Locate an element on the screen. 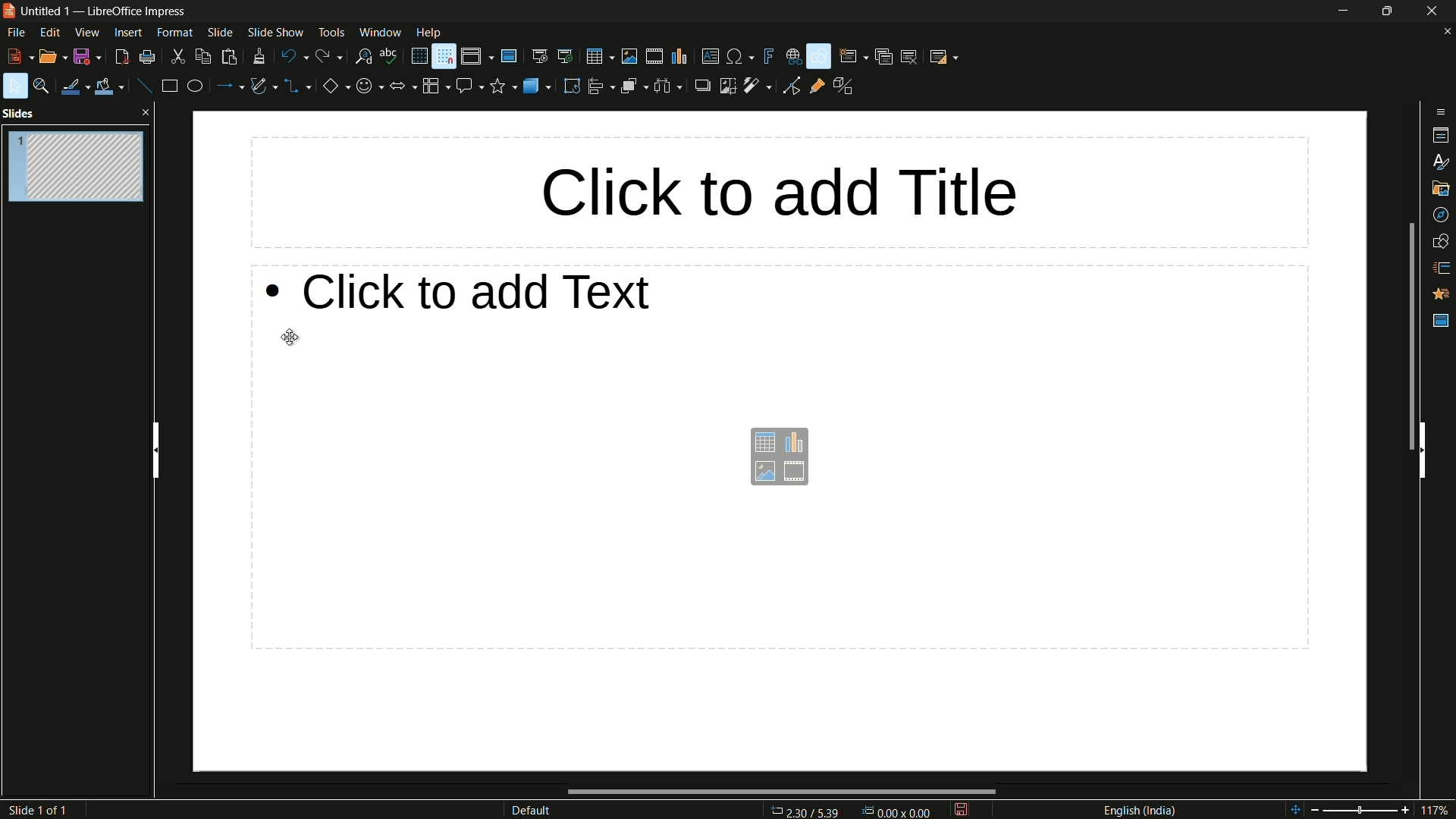 The image size is (1456, 819). 3d objects is located at coordinates (538, 86).